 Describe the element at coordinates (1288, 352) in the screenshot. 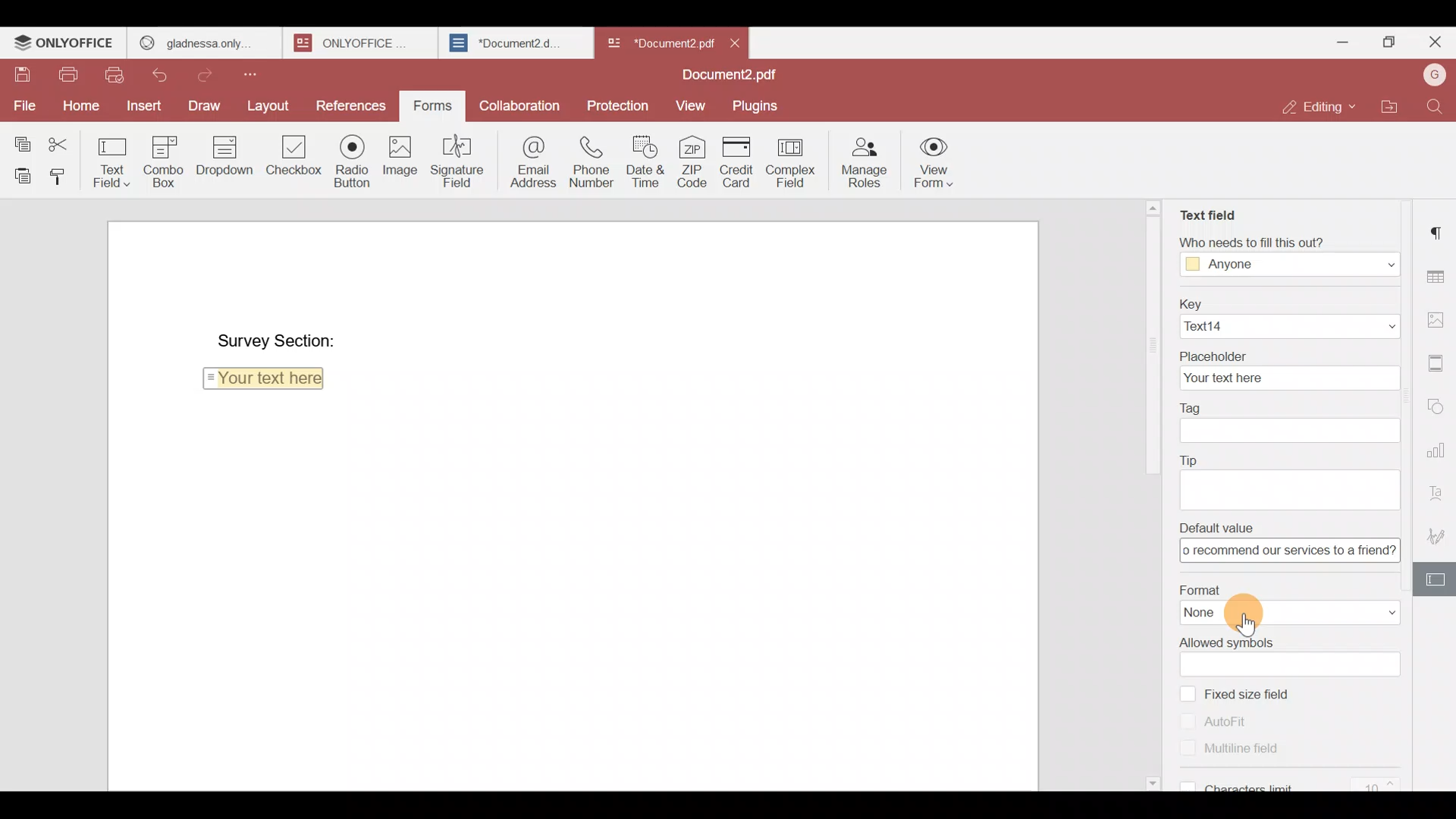

I see `Placeholder` at that location.